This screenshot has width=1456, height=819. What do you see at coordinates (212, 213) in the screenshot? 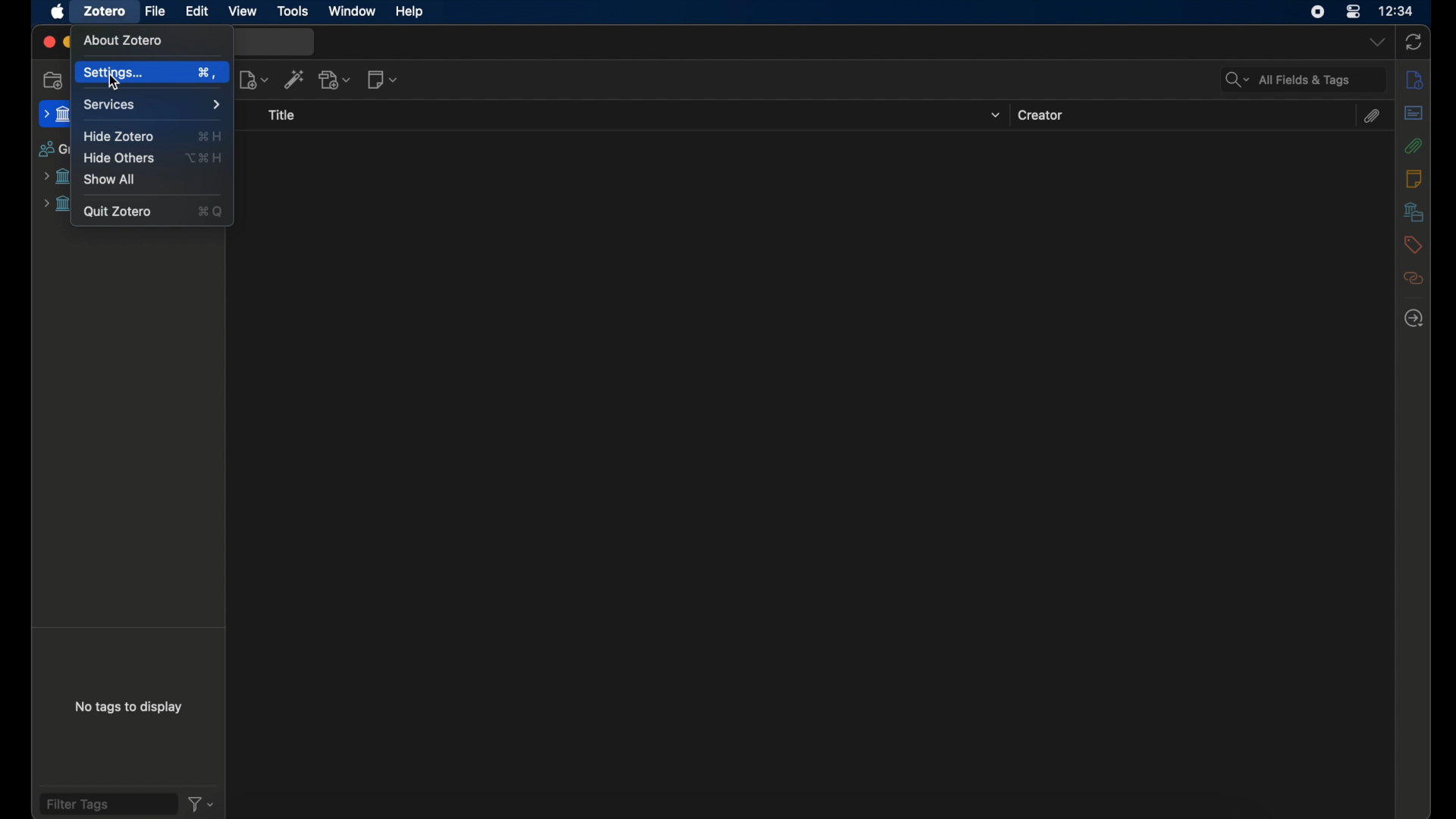
I see `quit zotero shortcut` at bounding box center [212, 213].